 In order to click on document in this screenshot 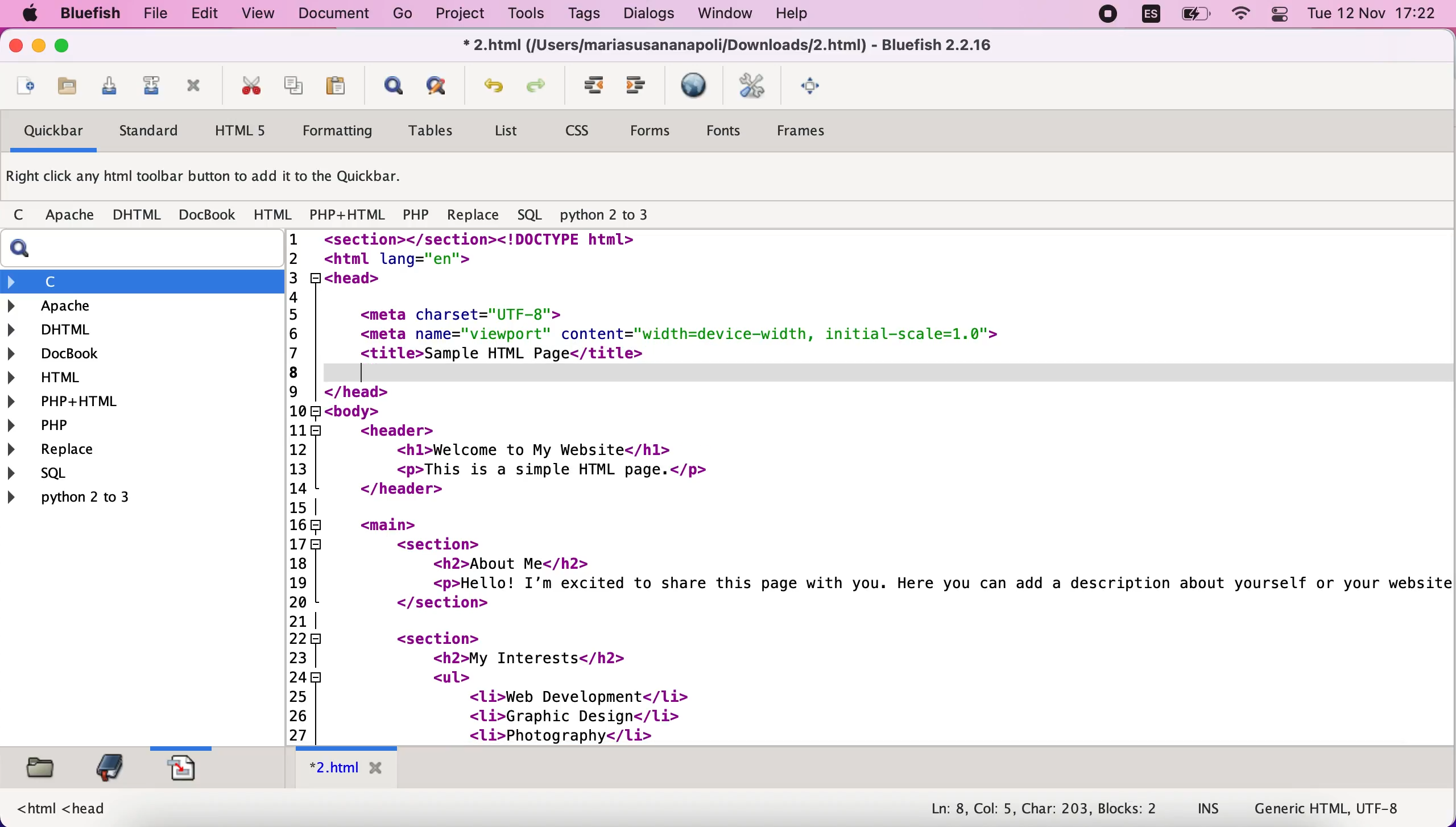, I will do `click(335, 15)`.